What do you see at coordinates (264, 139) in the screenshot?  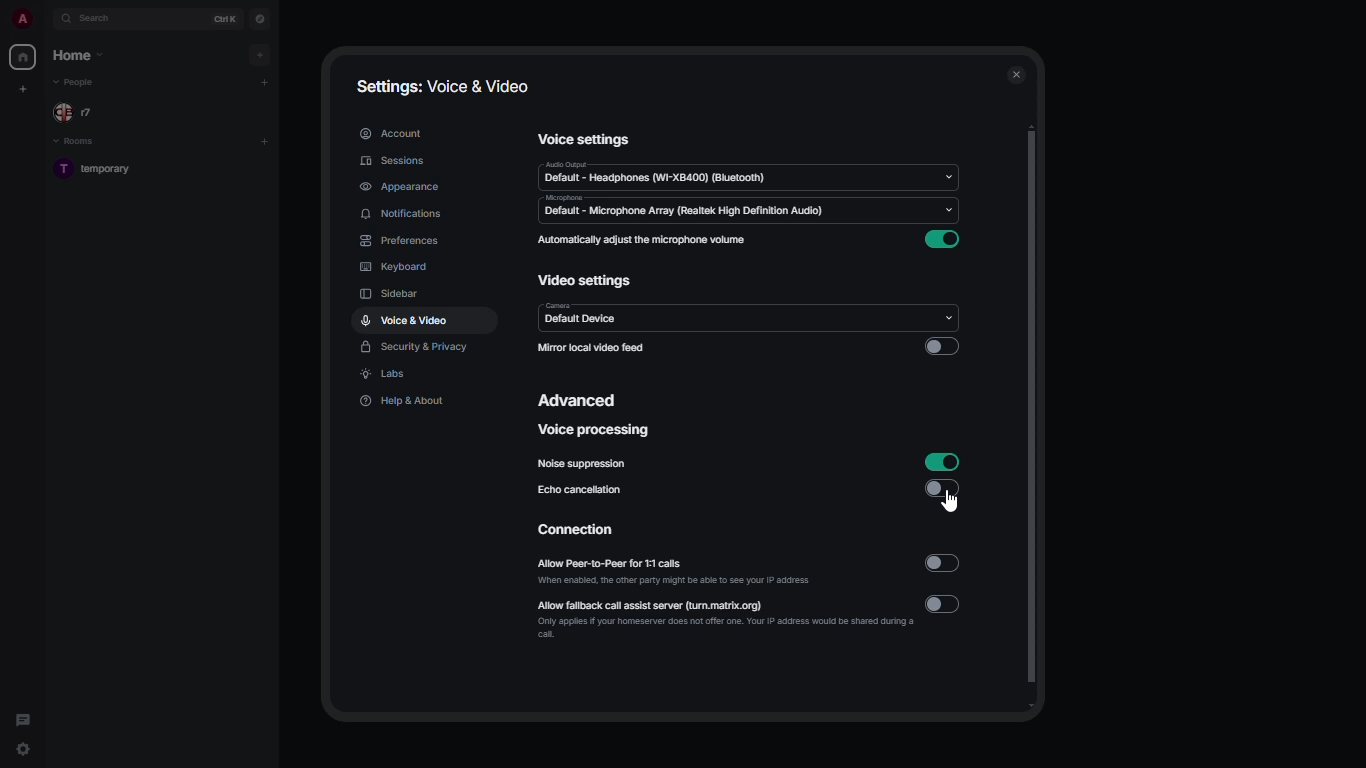 I see `add` at bounding box center [264, 139].